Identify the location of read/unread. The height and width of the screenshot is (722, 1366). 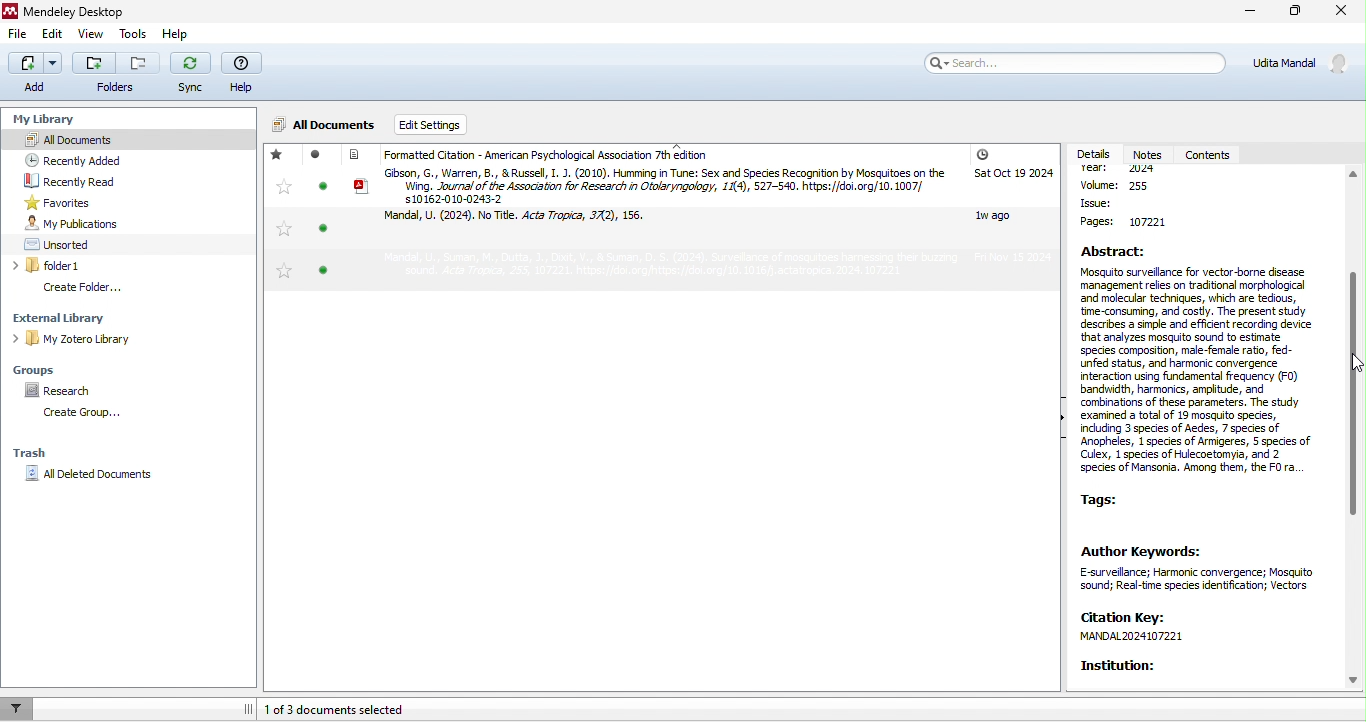
(319, 219).